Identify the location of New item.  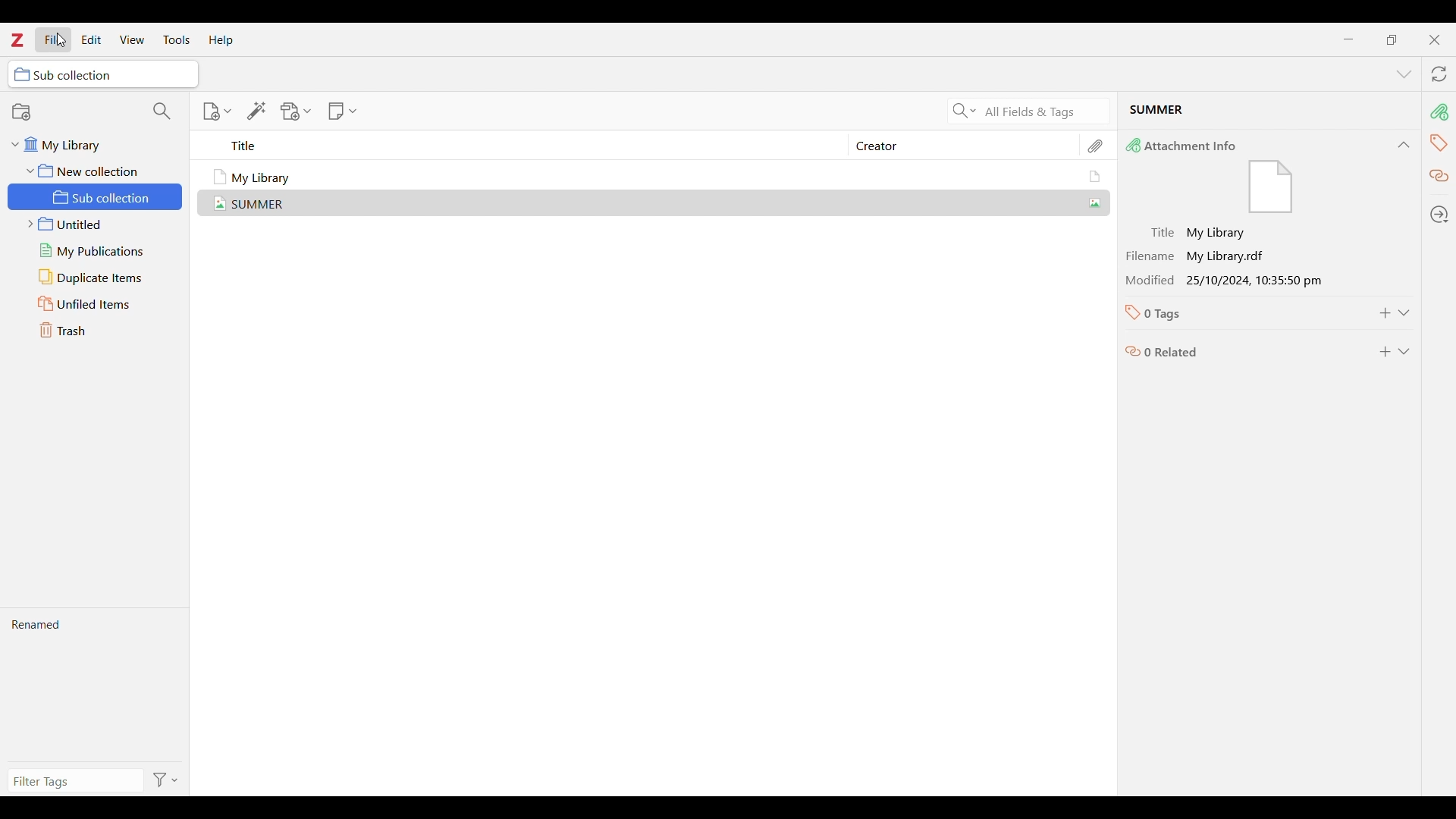
(217, 111).